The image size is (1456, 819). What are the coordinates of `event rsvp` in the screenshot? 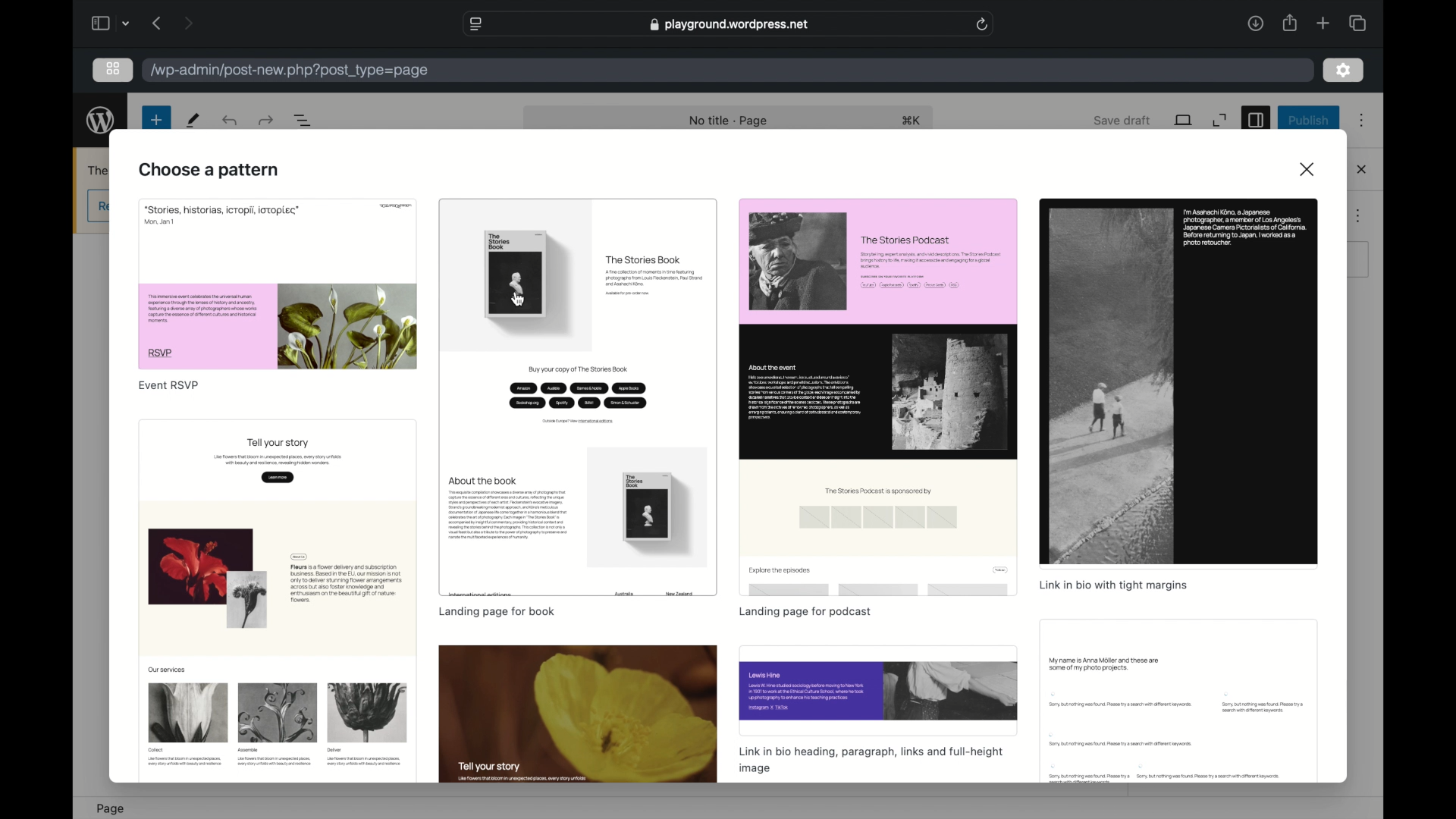 It's located at (170, 385).